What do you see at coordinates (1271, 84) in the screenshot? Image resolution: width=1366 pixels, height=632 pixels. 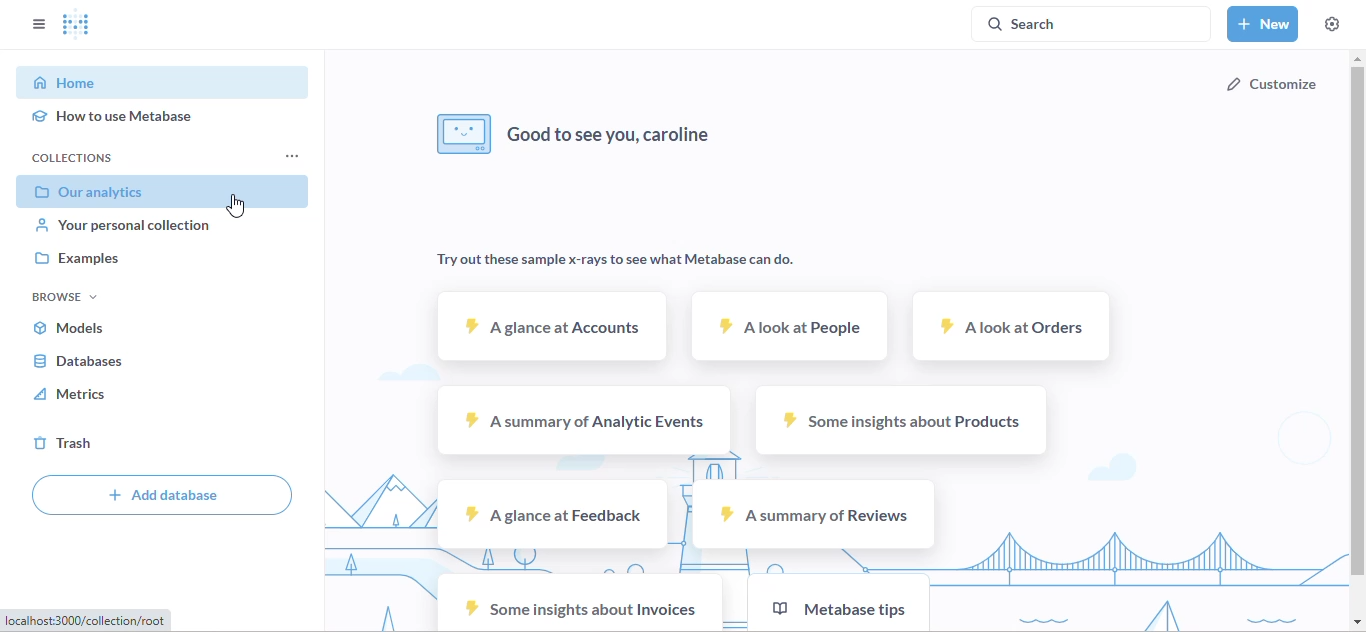 I see `customize` at bounding box center [1271, 84].